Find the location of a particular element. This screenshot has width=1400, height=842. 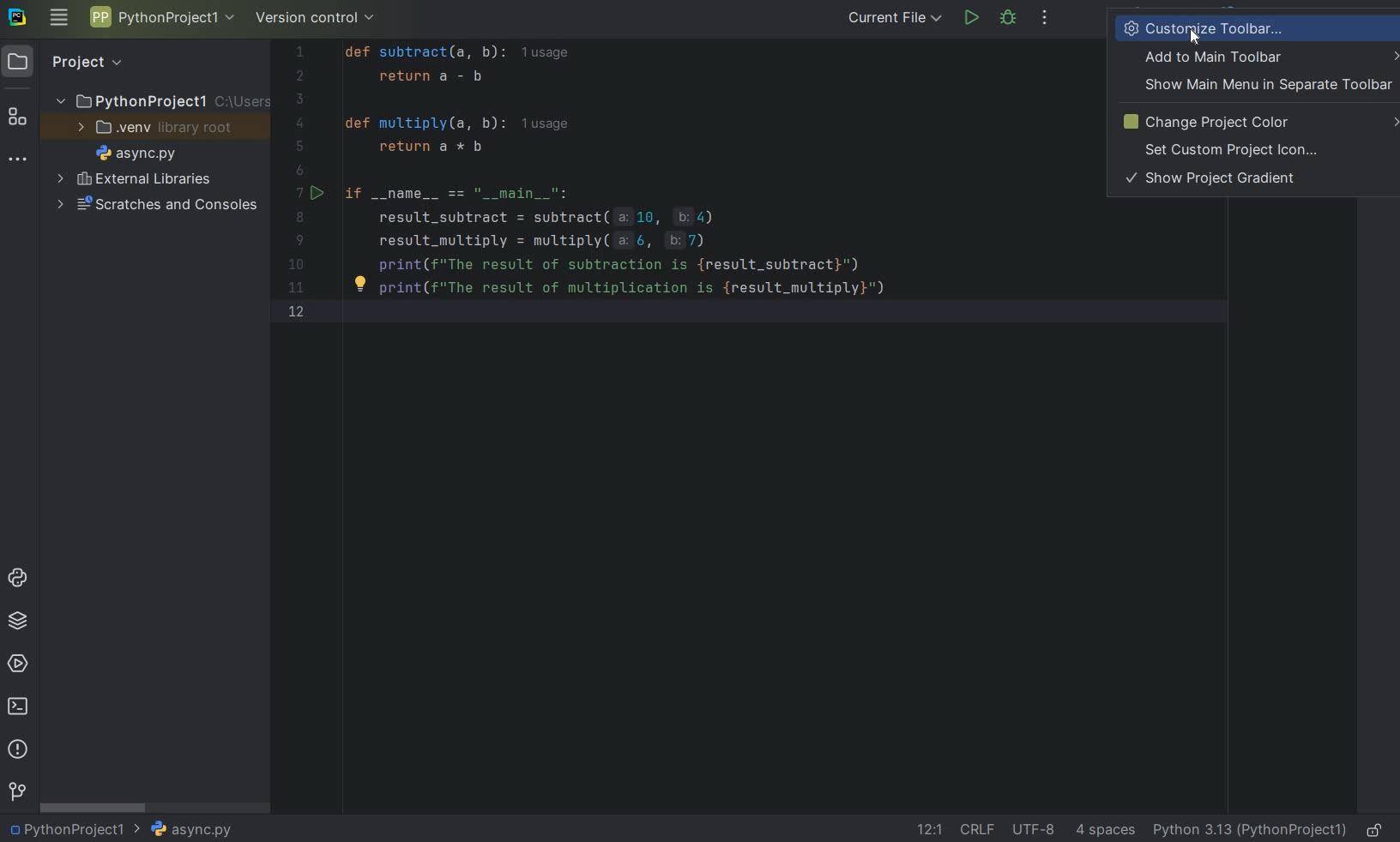

PYTHON PACKAGES is located at coordinates (17, 623).